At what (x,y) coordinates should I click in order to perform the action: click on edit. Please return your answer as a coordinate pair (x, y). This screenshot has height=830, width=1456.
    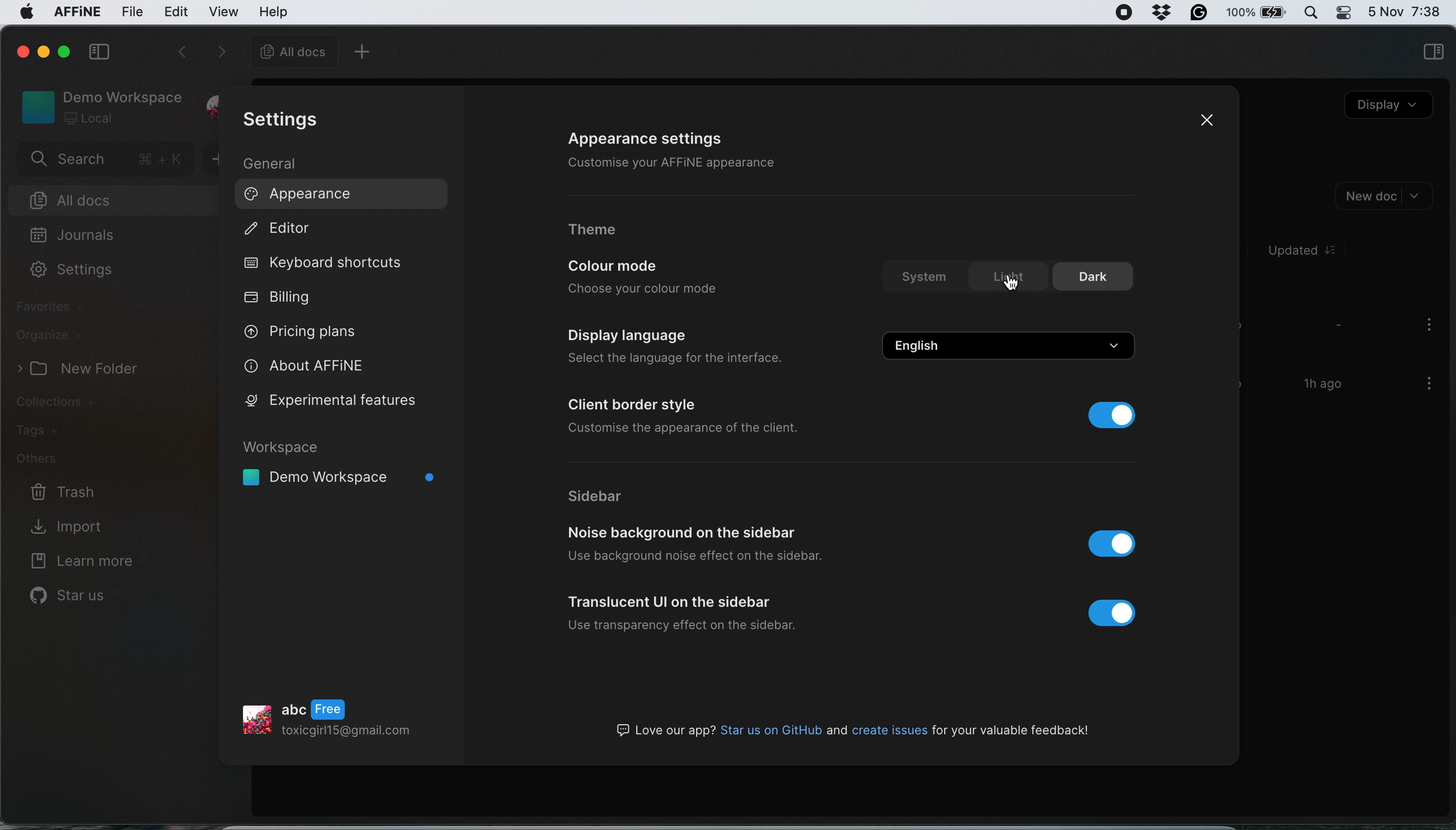
    Looking at the image, I should click on (176, 13).